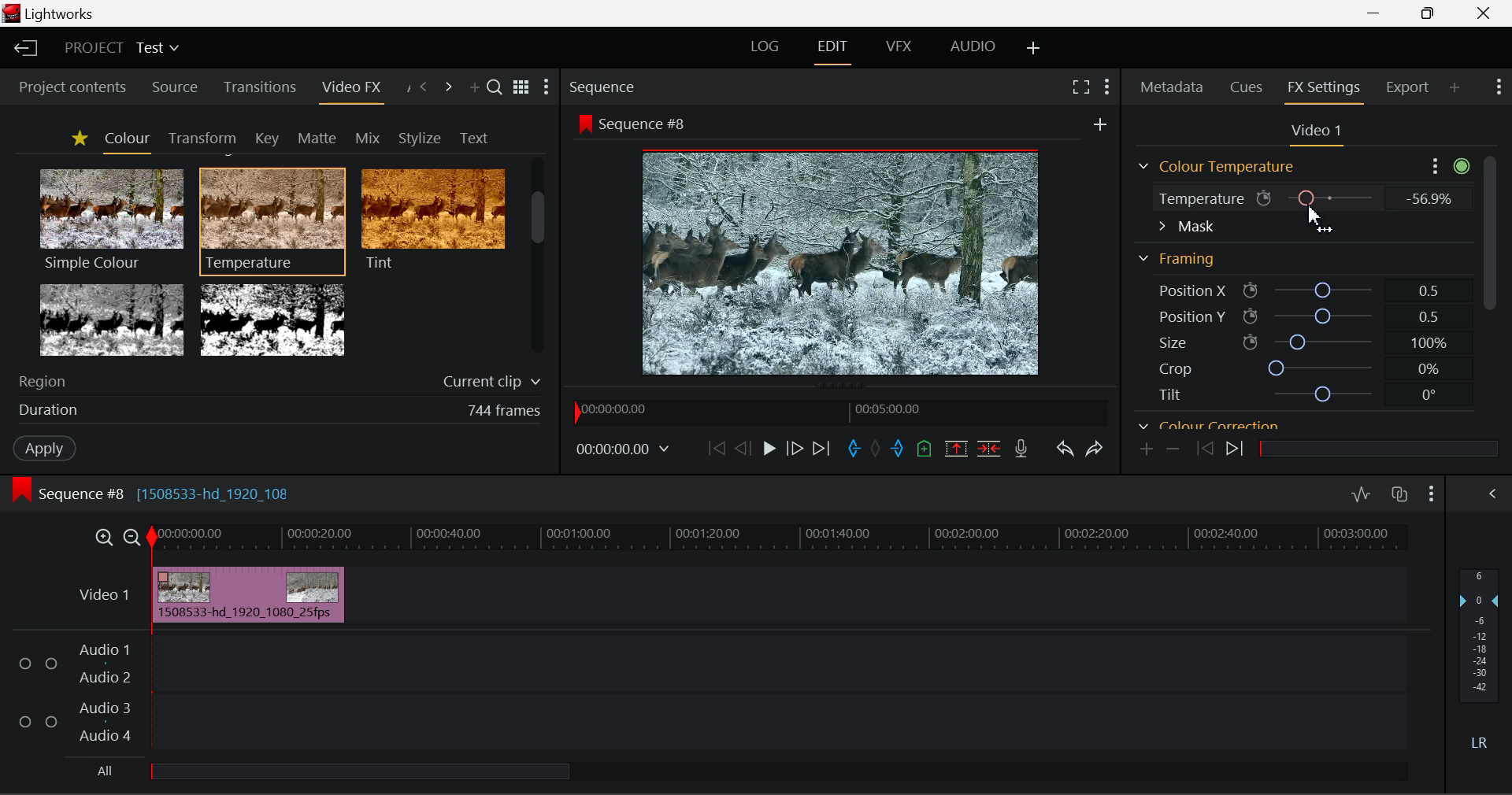 The width and height of the screenshot is (1512, 795). Describe the element at coordinates (472, 87) in the screenshot. I see `Add Panel` at that location.